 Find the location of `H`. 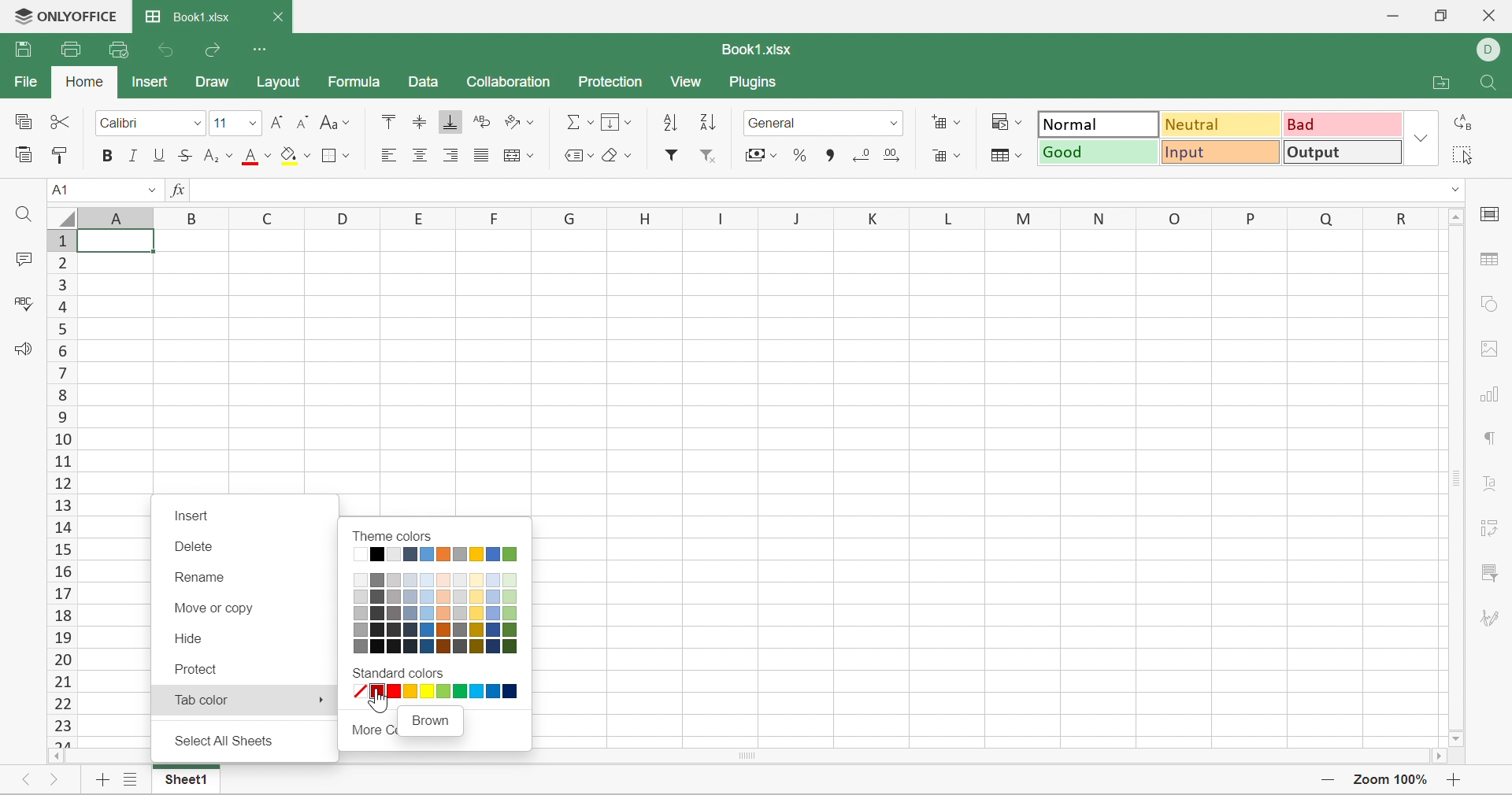

H is located at coordinates (642, 219).